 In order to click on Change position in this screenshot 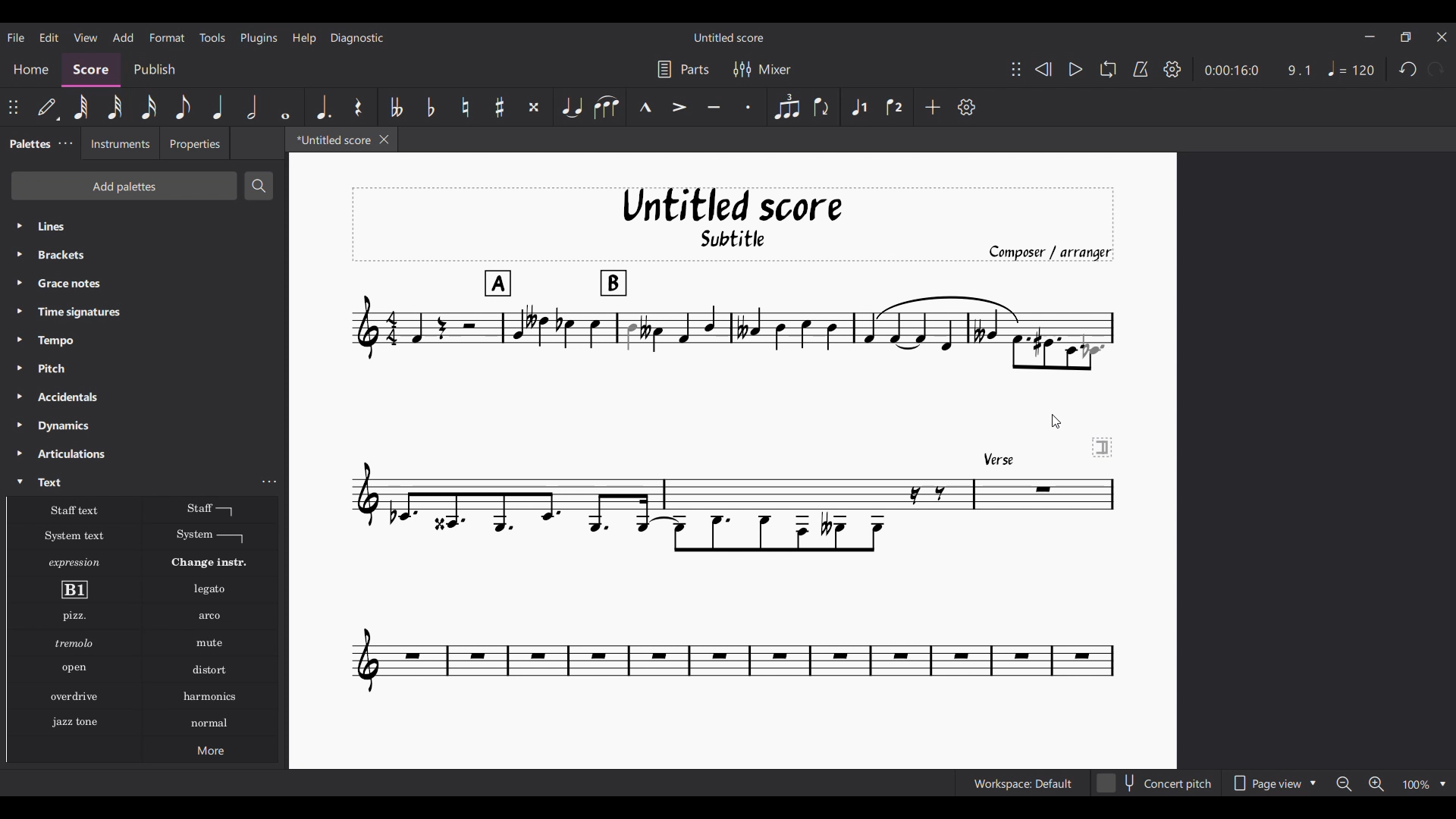, I will do `click(1016, 69)`.